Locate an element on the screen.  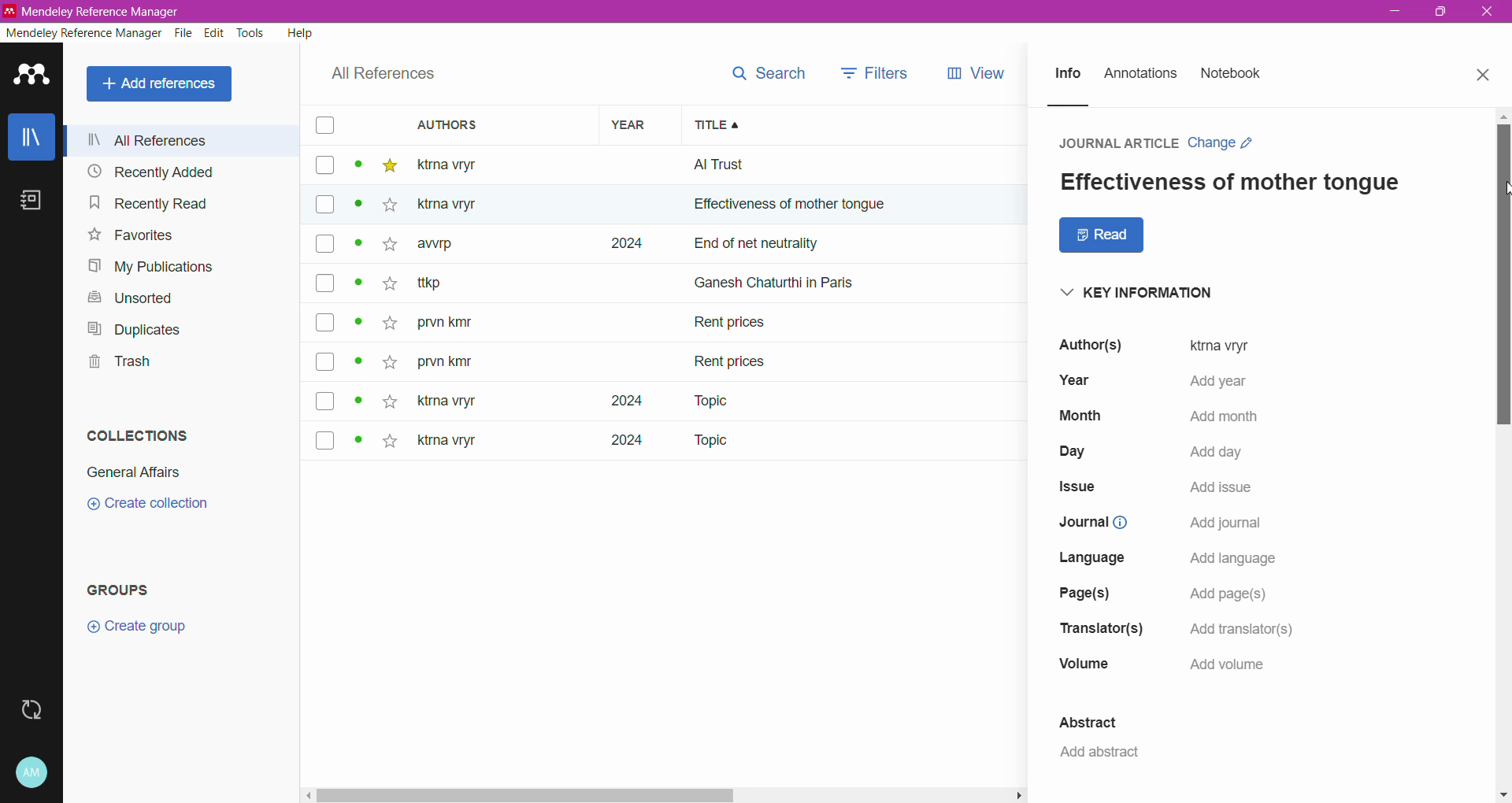
Abstract is located at coordinates (1086, 720).